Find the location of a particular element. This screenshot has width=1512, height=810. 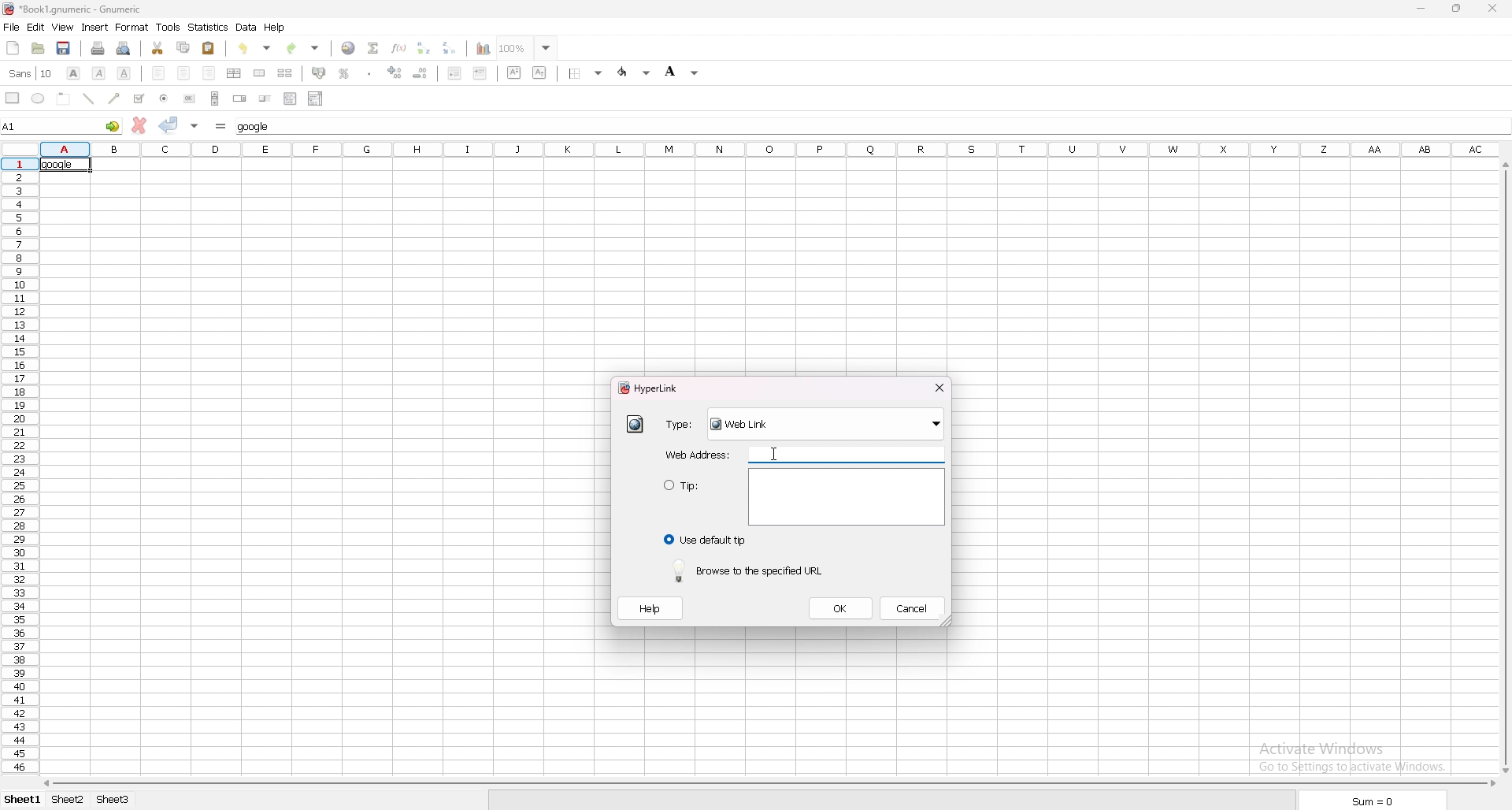

underline is located at coordinates (124, 72).